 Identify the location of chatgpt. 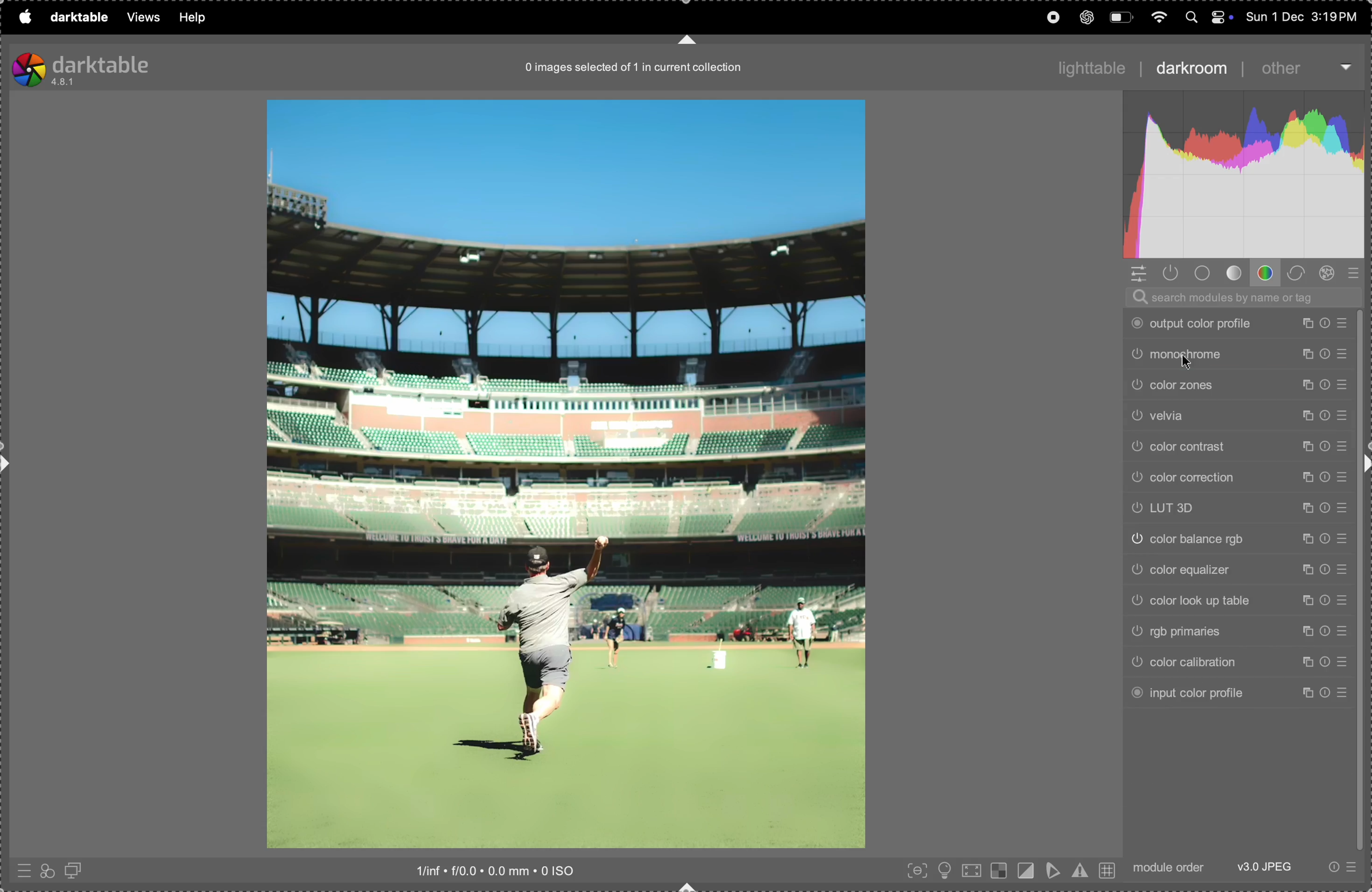
(1088, 17).